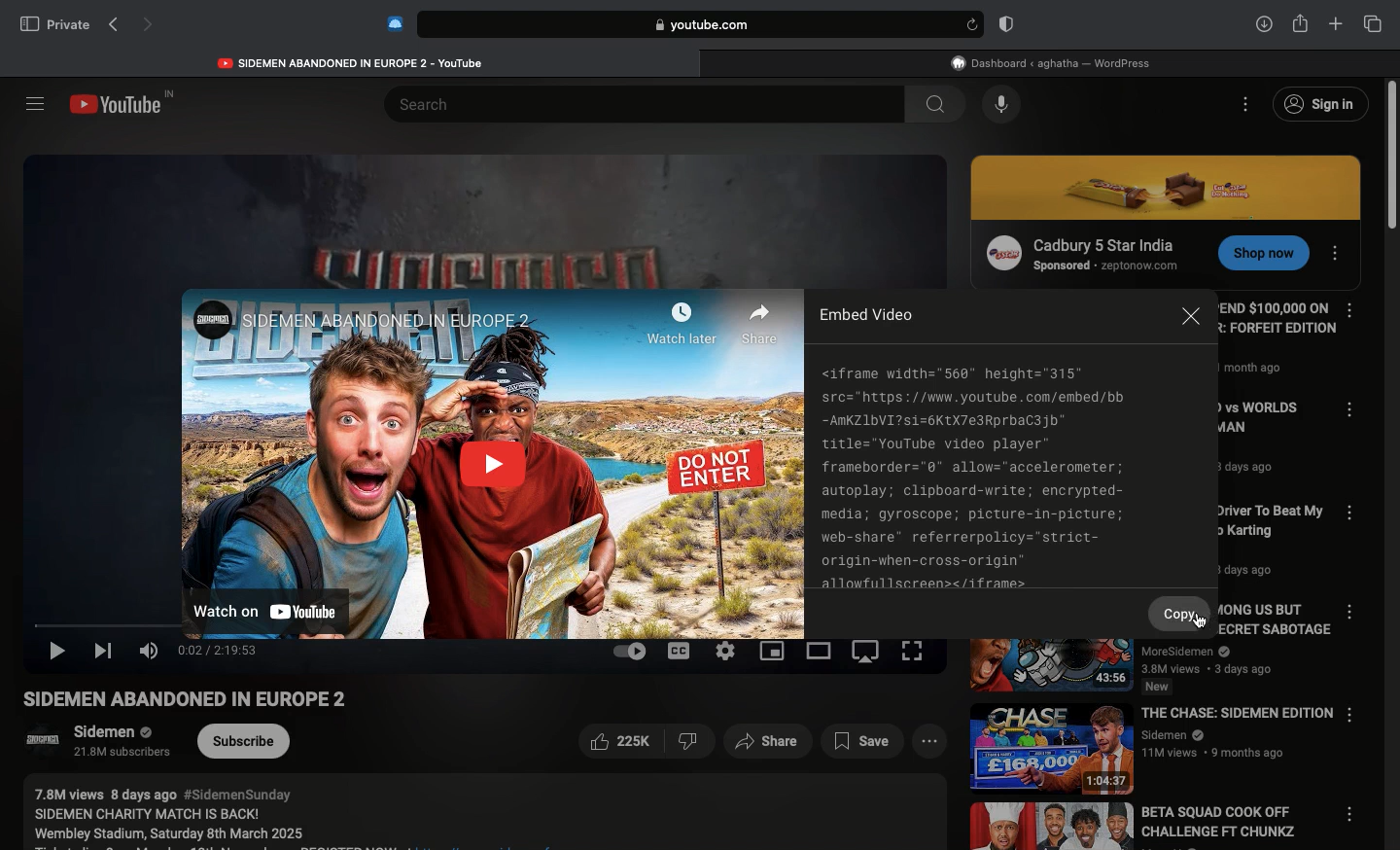 This screenshot has width=1400, height=850. Describe the element at coordinates (218, 651) in the screenshot. I see `Time` at that location.